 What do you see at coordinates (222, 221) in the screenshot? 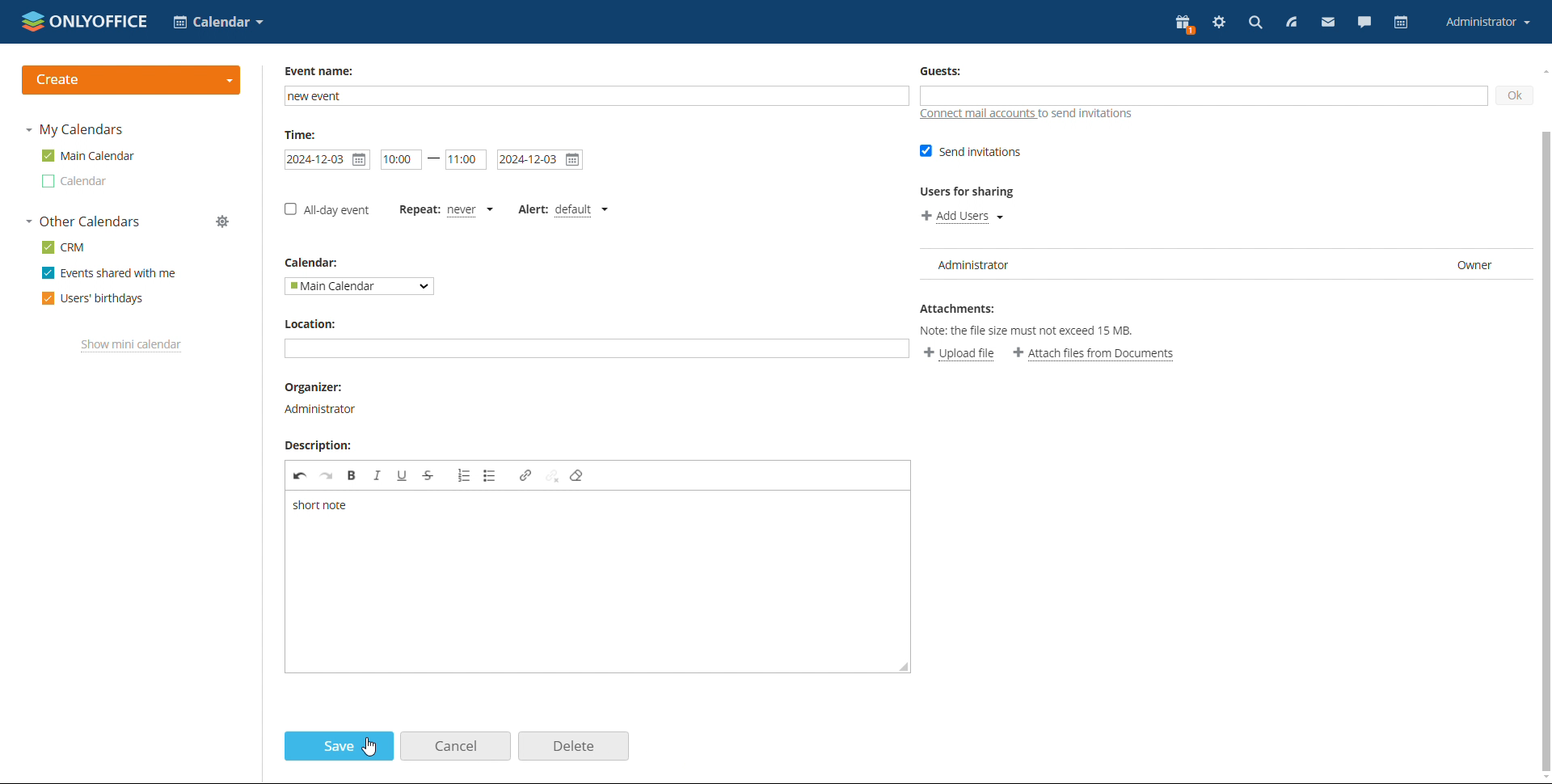
I see `manage` at bounding box center [222, 221].